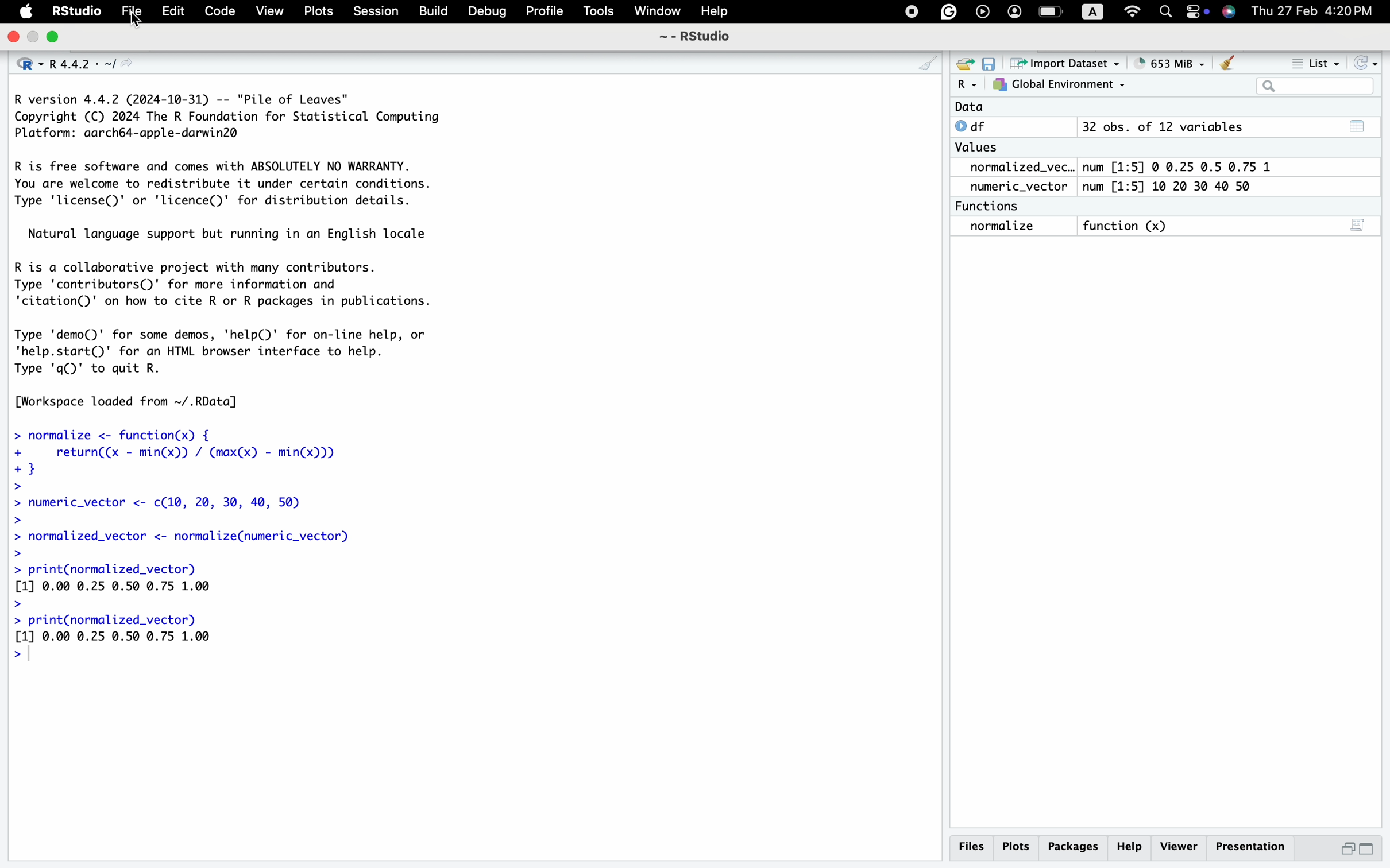  I want to click on Debug, so click(488, 12).